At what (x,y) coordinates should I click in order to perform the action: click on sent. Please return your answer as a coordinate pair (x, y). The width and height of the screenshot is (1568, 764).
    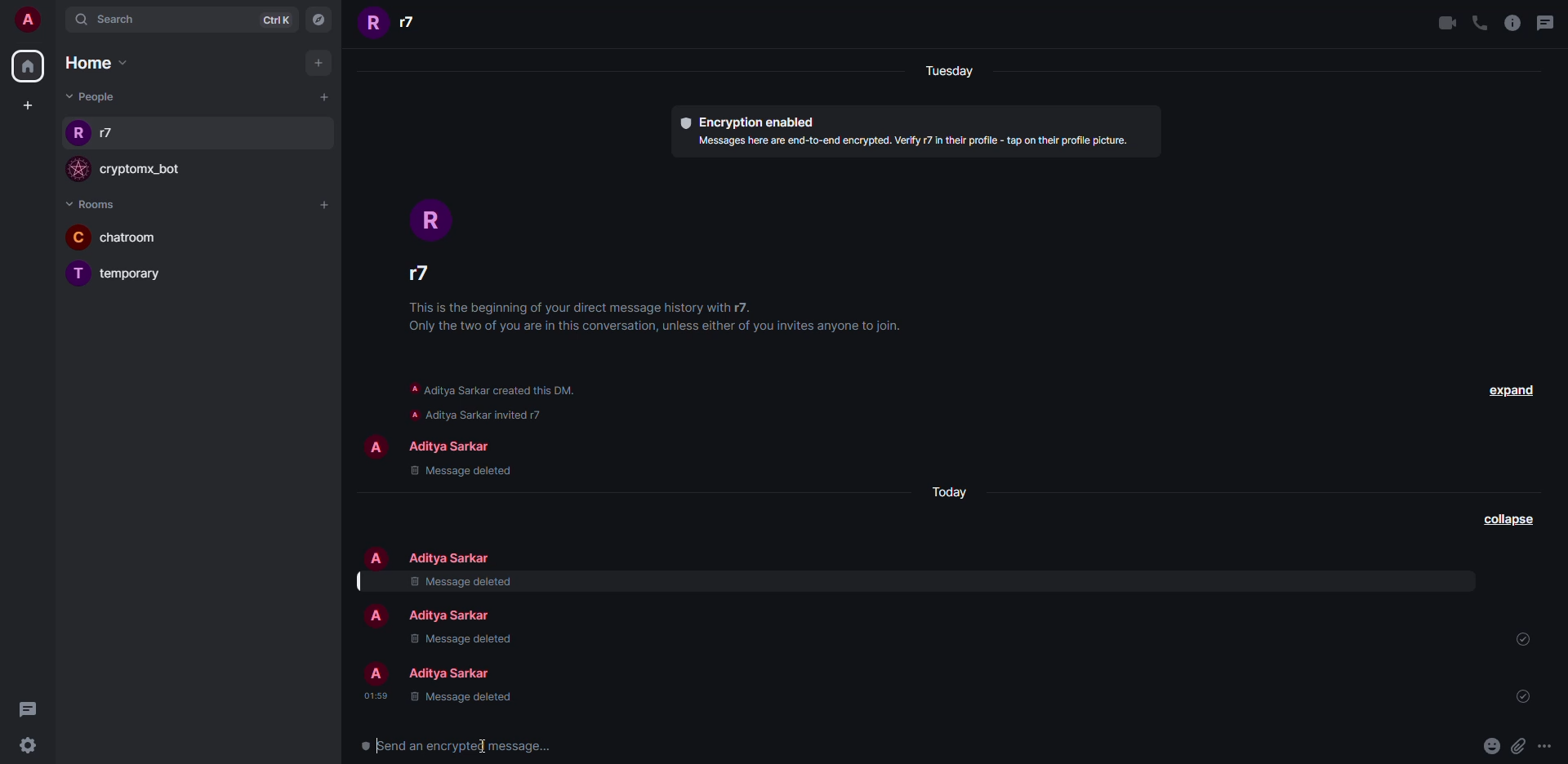
    Looking at the image, I should click on (1521, 695).